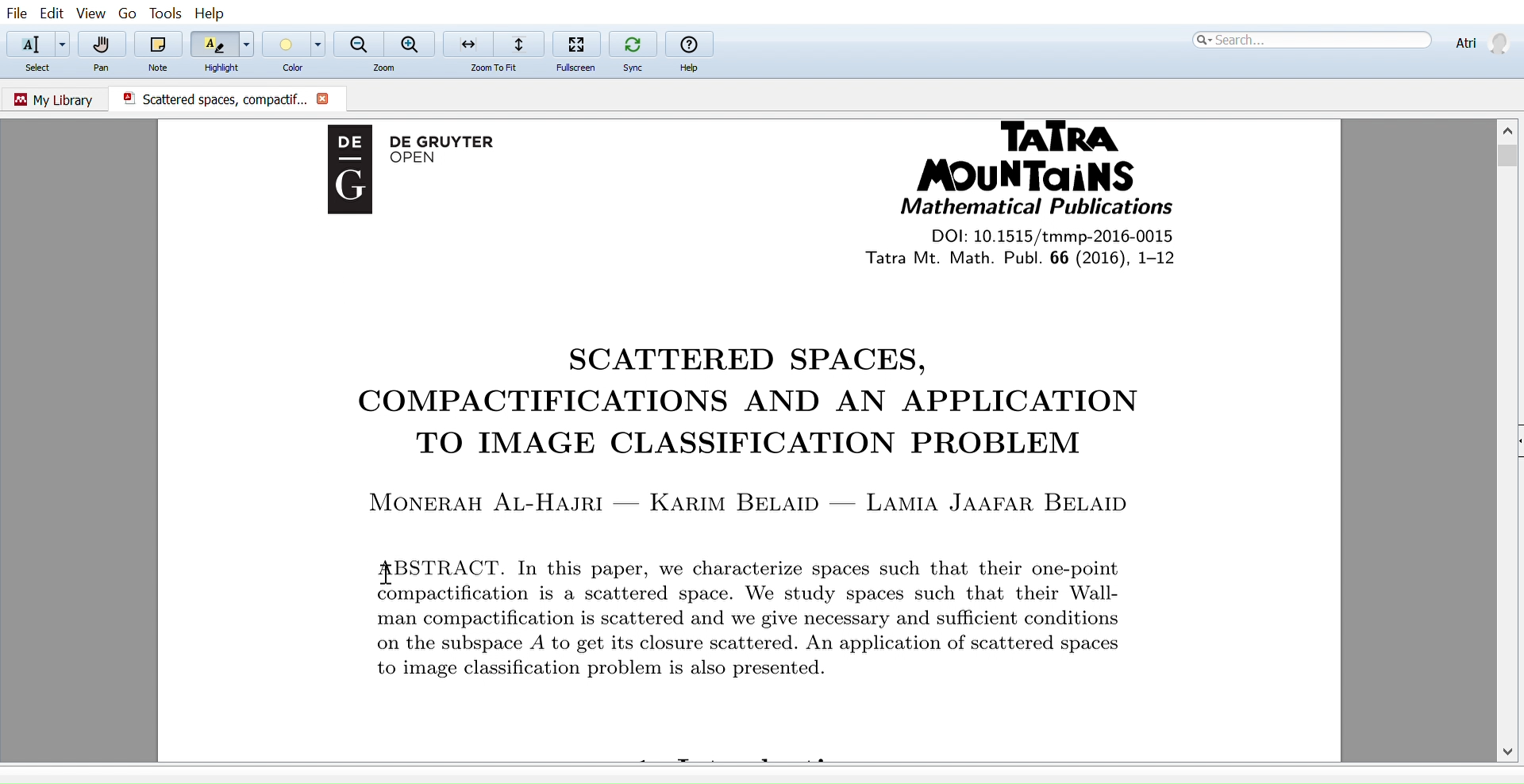 The width and height of the screenshot is (1524, 784). Describe the element at coordinates (499, 68) in the screenshot. I see `zoom to fit` at that location.